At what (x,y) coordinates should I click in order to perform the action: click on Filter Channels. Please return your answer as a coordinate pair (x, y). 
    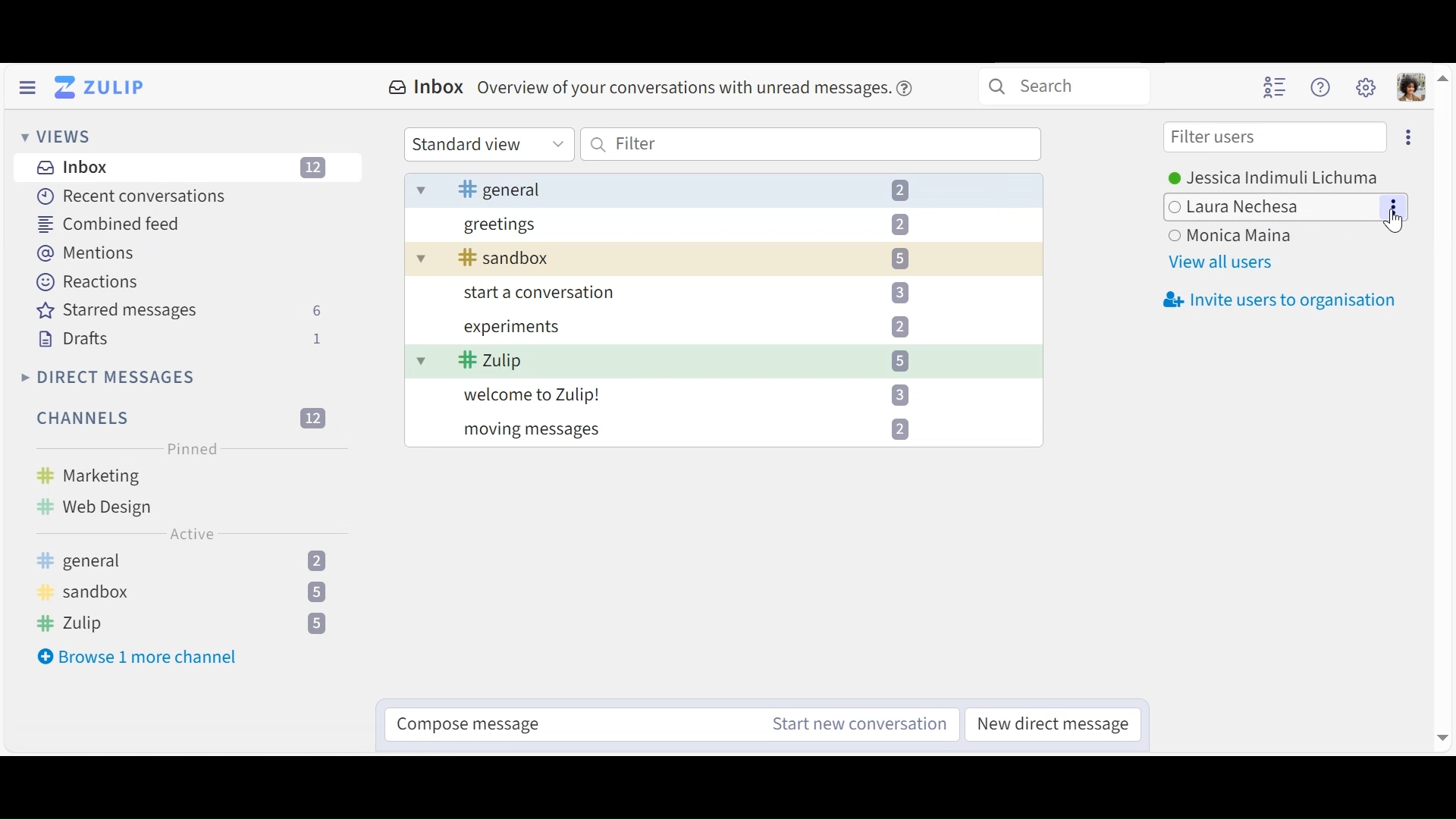
    Looking at the image, I should click on (180, 419).